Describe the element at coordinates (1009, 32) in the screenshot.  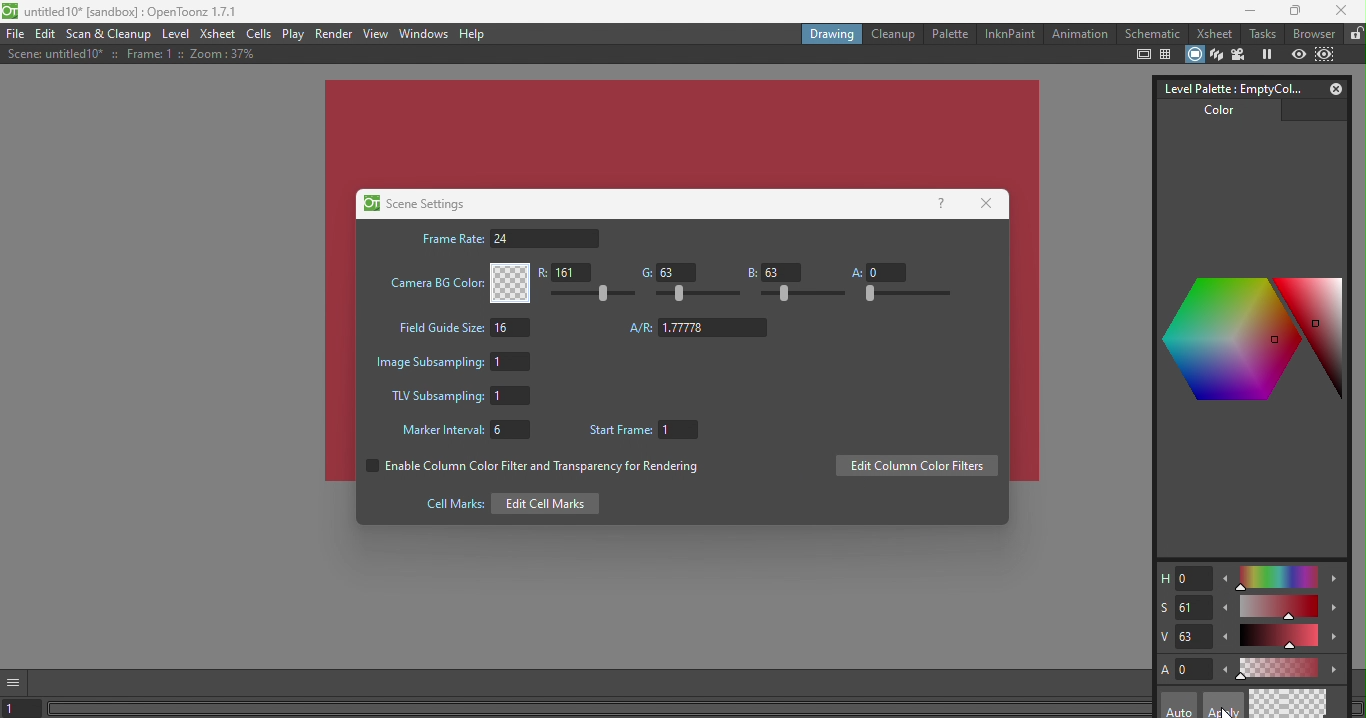
I see `InknPaint` at that location.